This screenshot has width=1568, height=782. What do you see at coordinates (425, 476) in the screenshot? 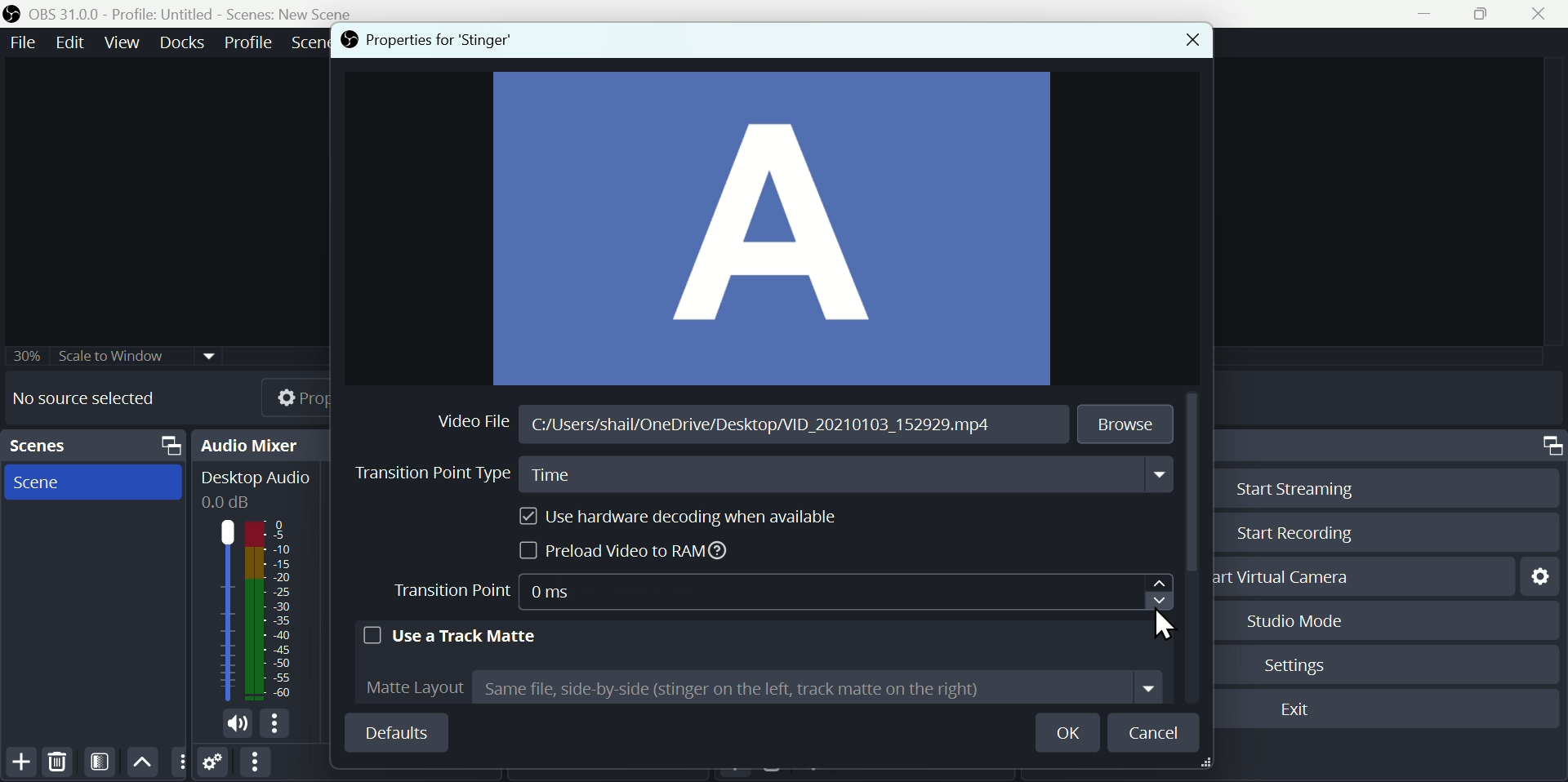
I see `transition point type` at bounding box center [425, 476].